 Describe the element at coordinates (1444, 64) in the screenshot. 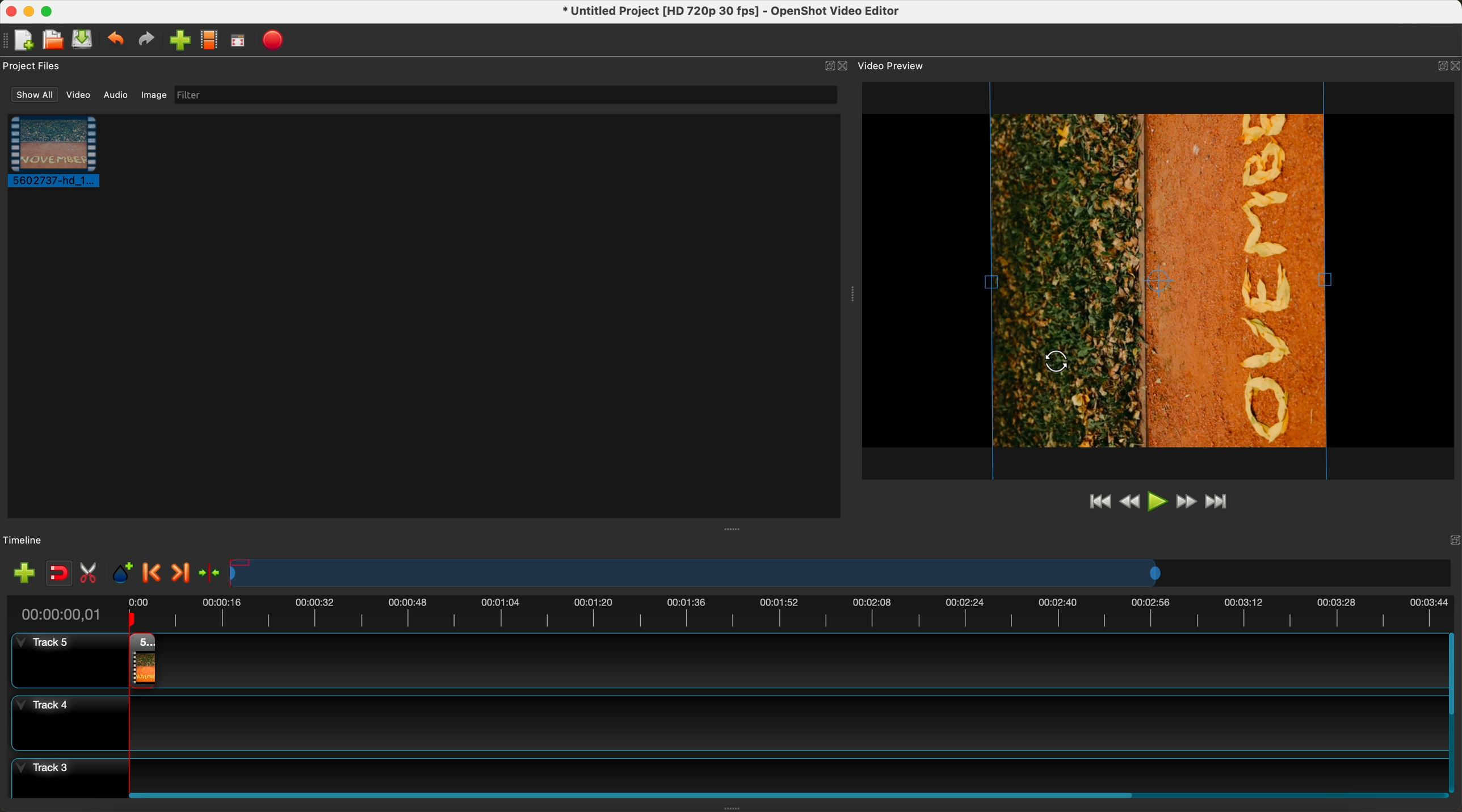

I see `` at that location.